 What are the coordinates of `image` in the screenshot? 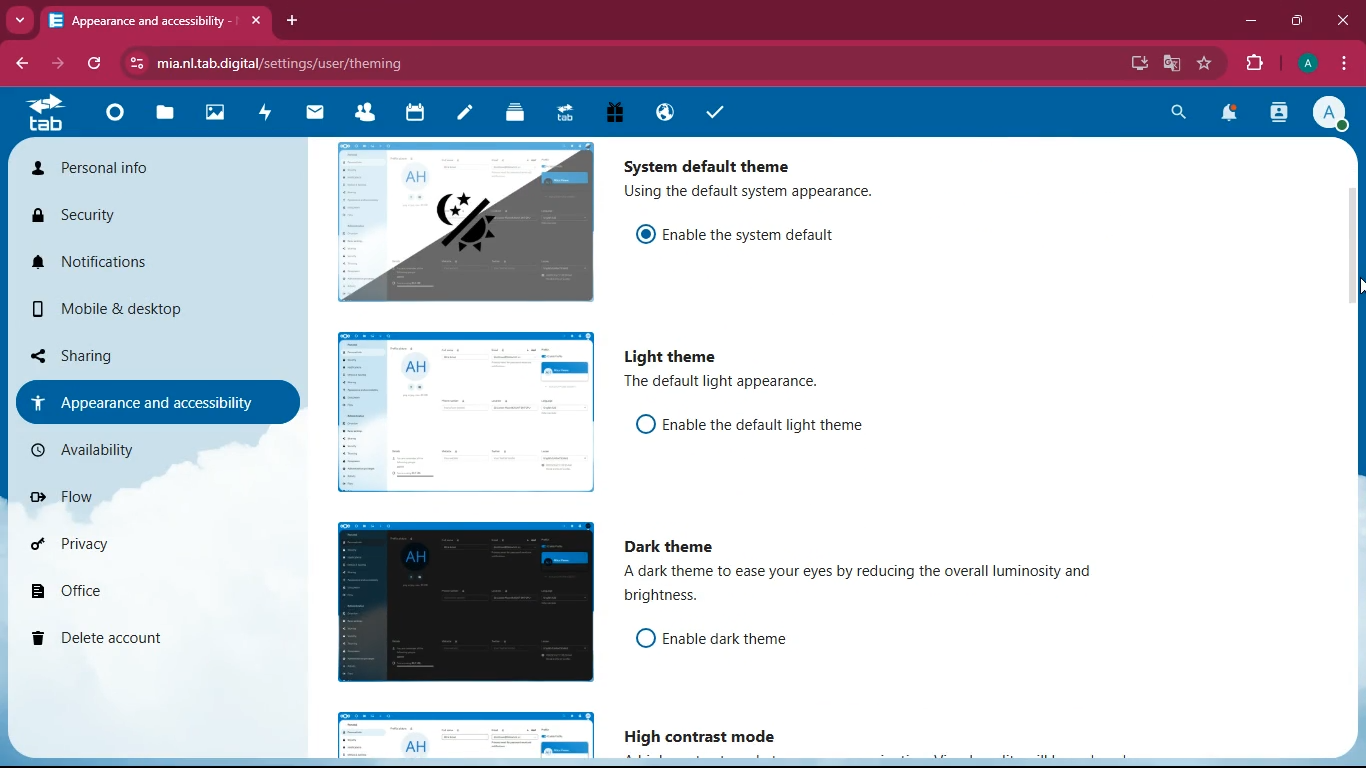 It's located at (461, 601).